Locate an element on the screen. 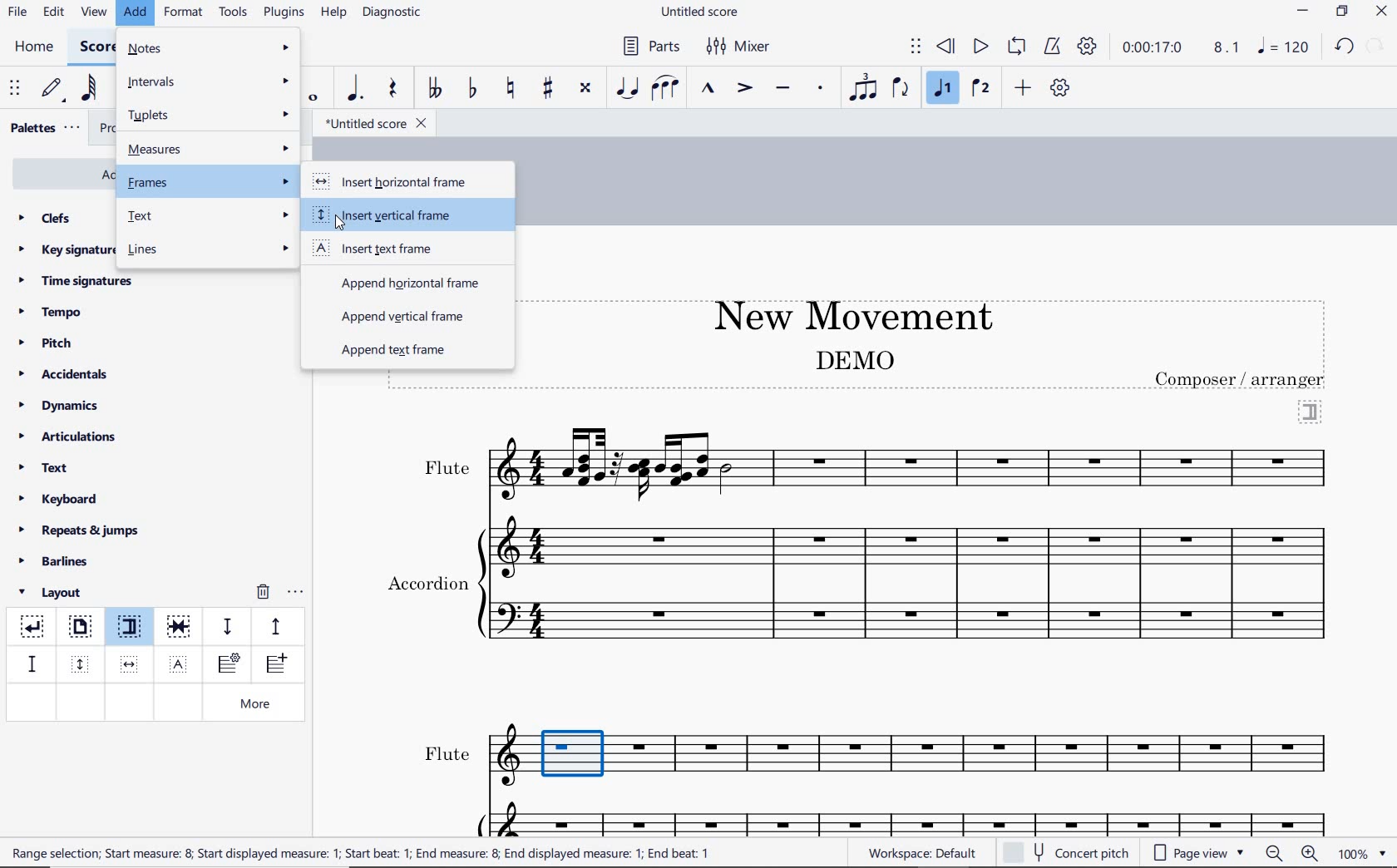 Image resolution: width=1397 pixels, height=868 pixels. view is located at coordinates (91, 13).